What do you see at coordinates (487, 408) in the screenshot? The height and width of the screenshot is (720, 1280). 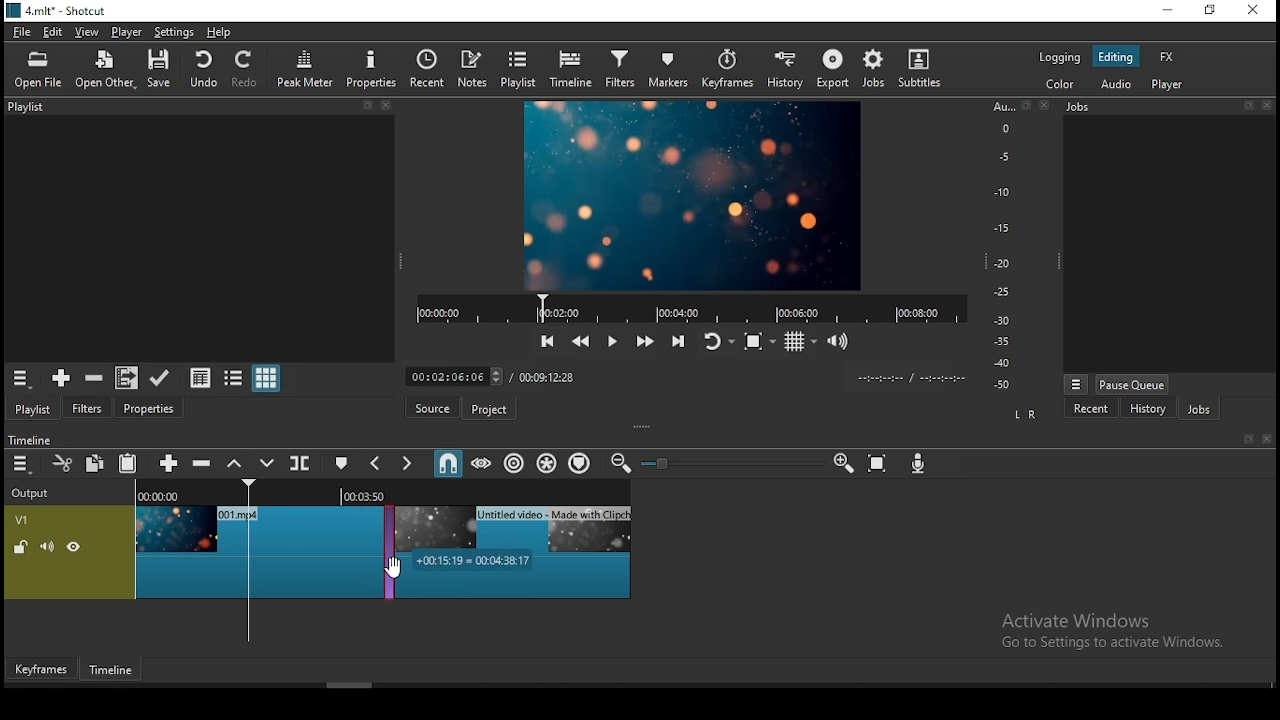 I see `project` at bounding box center [487, 408].